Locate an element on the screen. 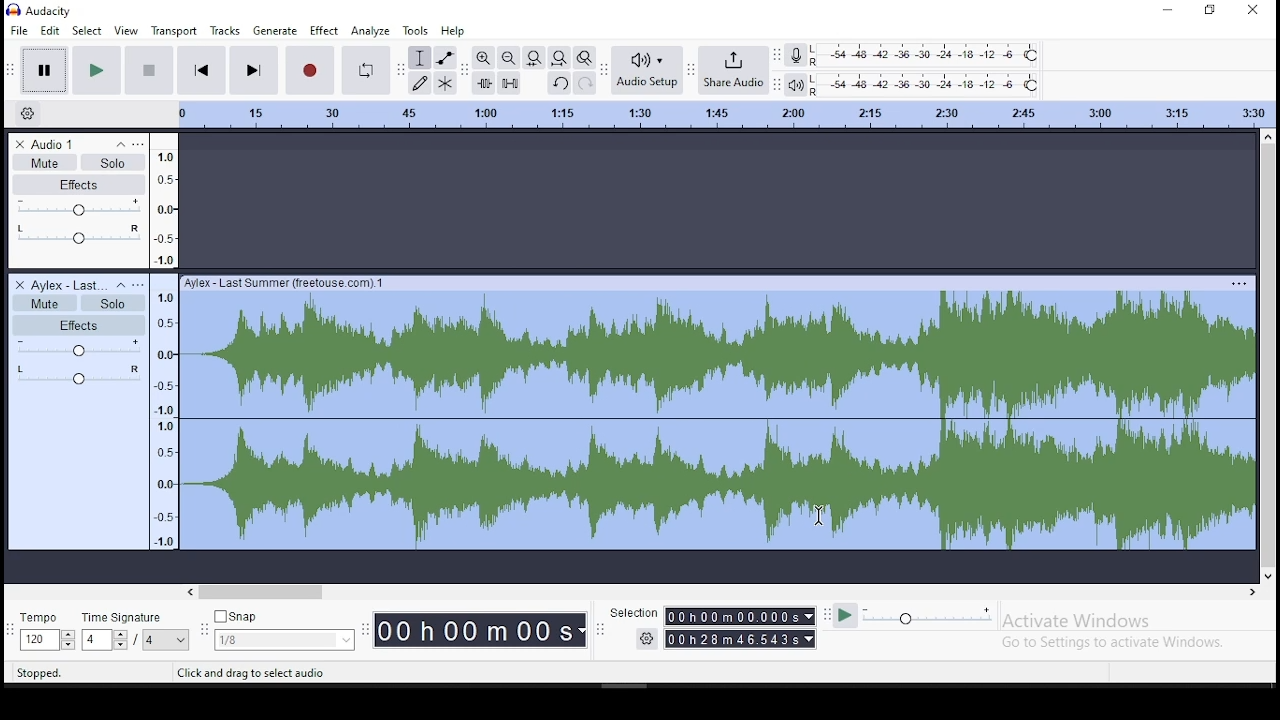 This screenshot has height=720, width=1280. 00h00M00s is located at coordinates (480, 632).